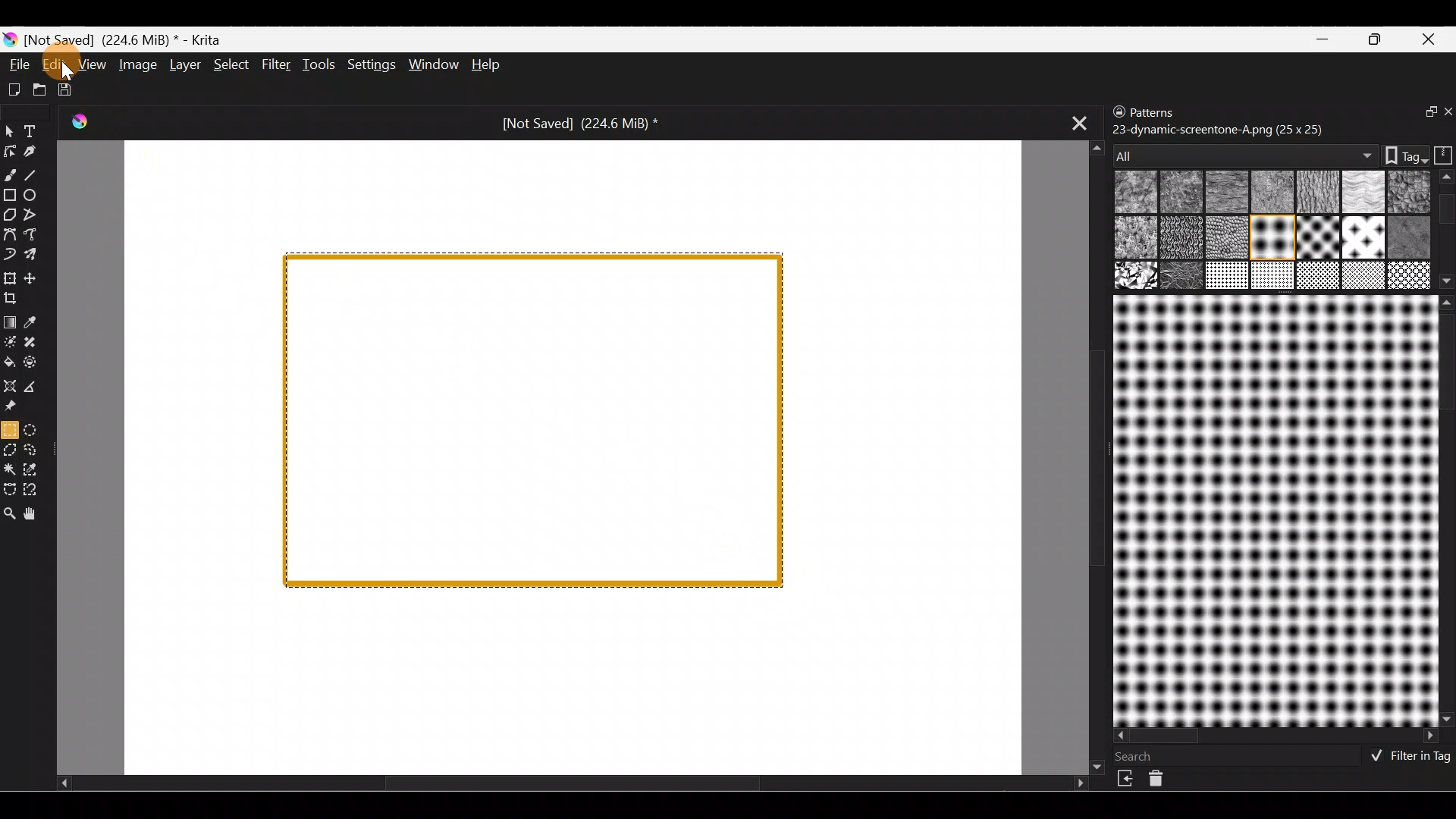  I want to click on Pan tool, so click(37, 514).